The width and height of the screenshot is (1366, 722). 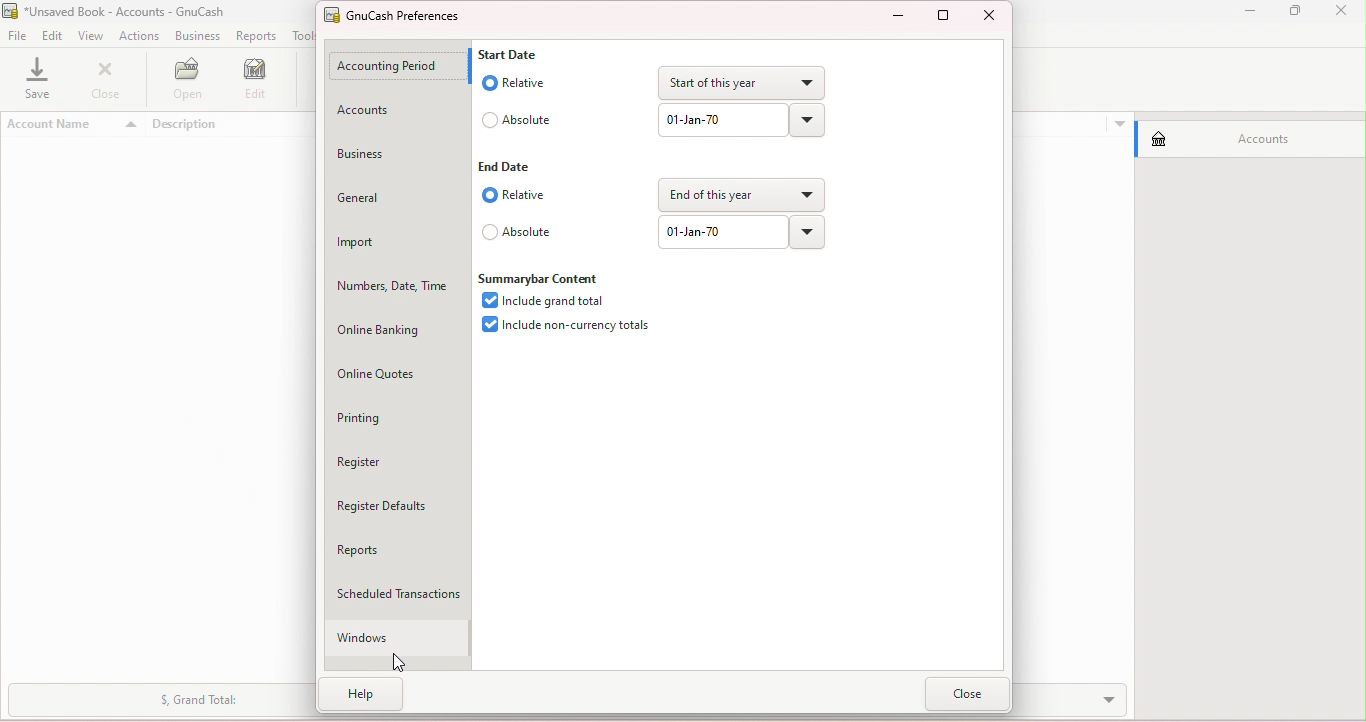 What do you see at coordinates (400, 507) in the screenshot?
I see `Register defaults` at bounding box center [400, 507].